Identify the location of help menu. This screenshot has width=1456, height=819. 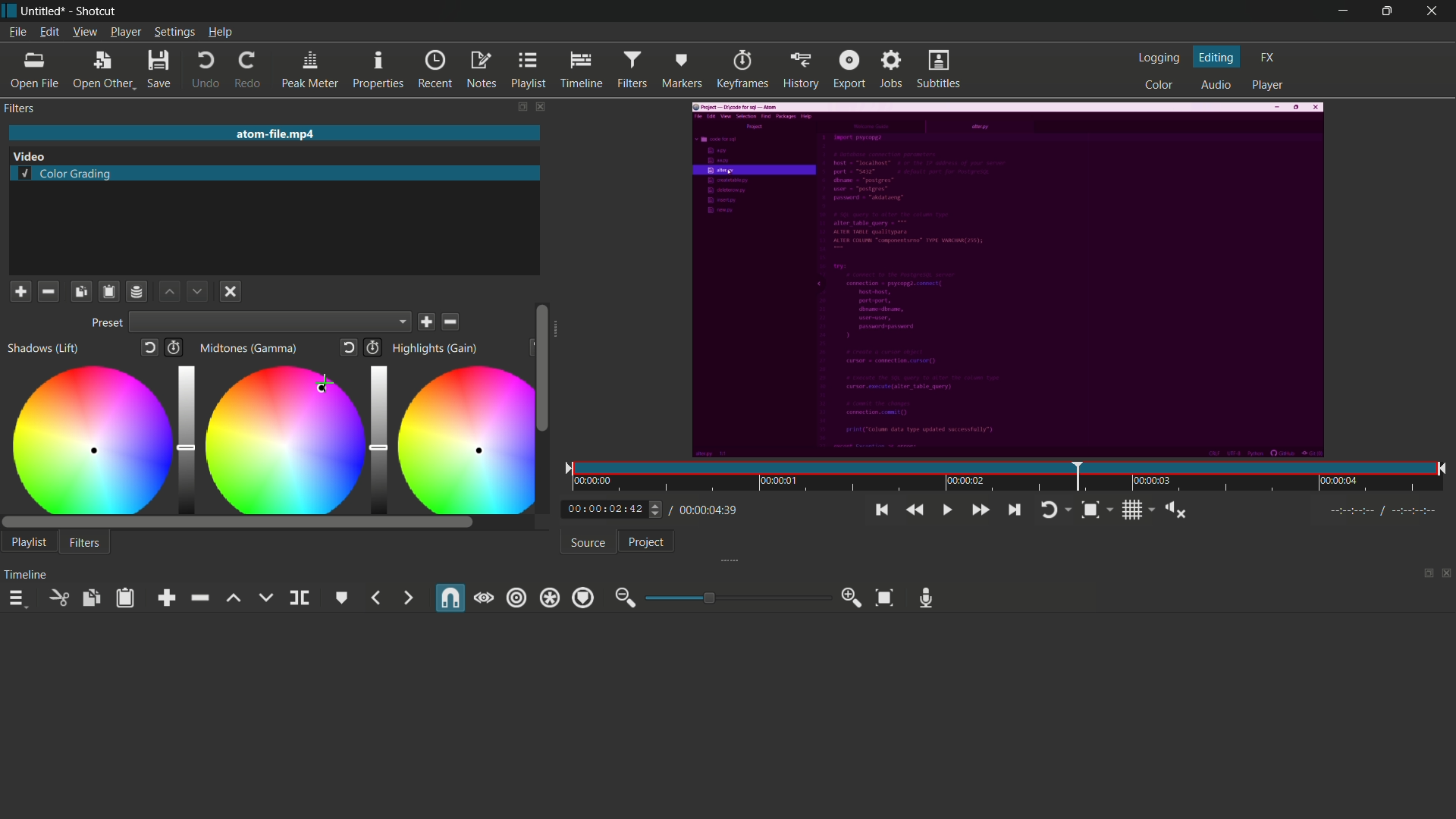
(221, 33).